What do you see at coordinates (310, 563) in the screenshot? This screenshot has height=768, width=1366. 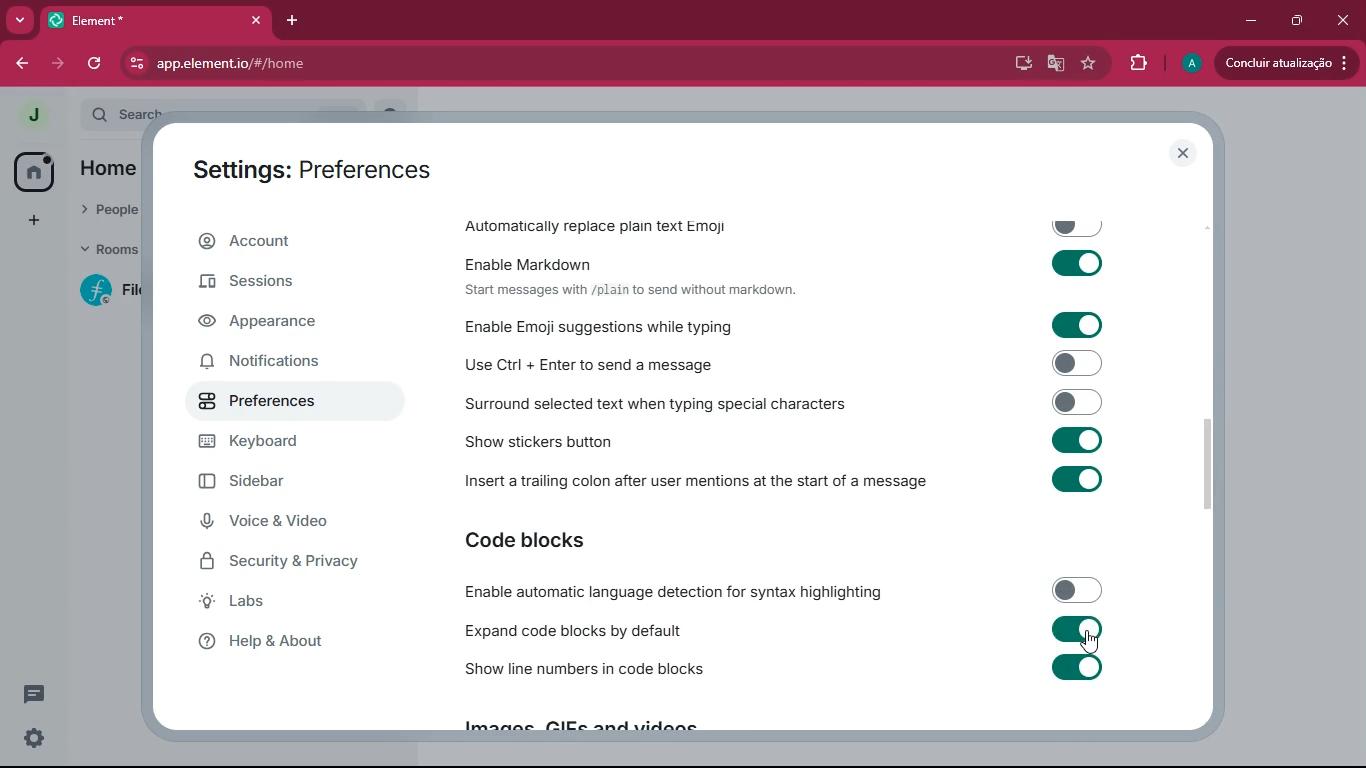 I see `security & Privacy` at bounding box center [310, 563].